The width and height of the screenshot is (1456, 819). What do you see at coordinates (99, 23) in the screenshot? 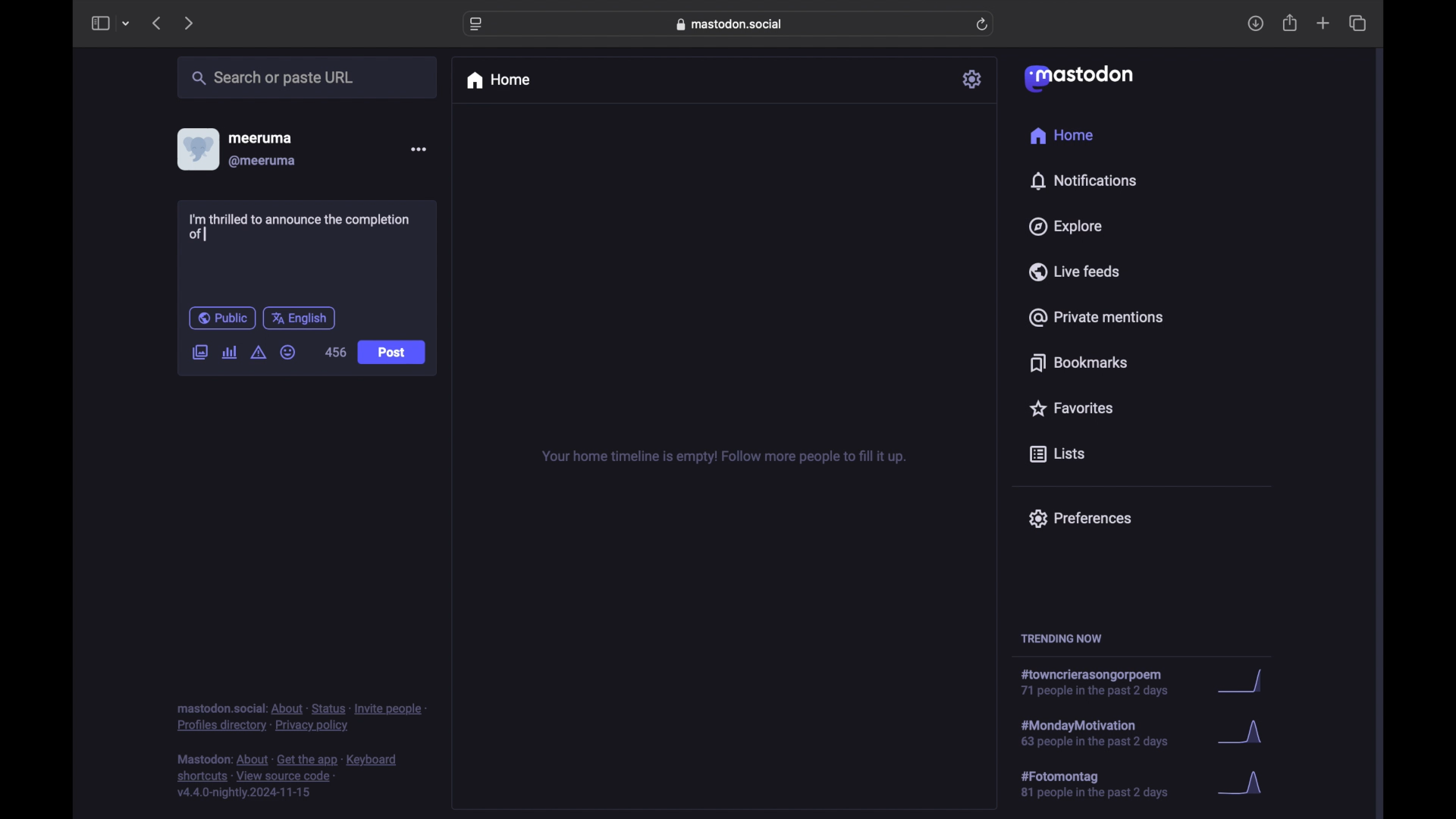
I see `side bar` at bounding box center [99, 23].